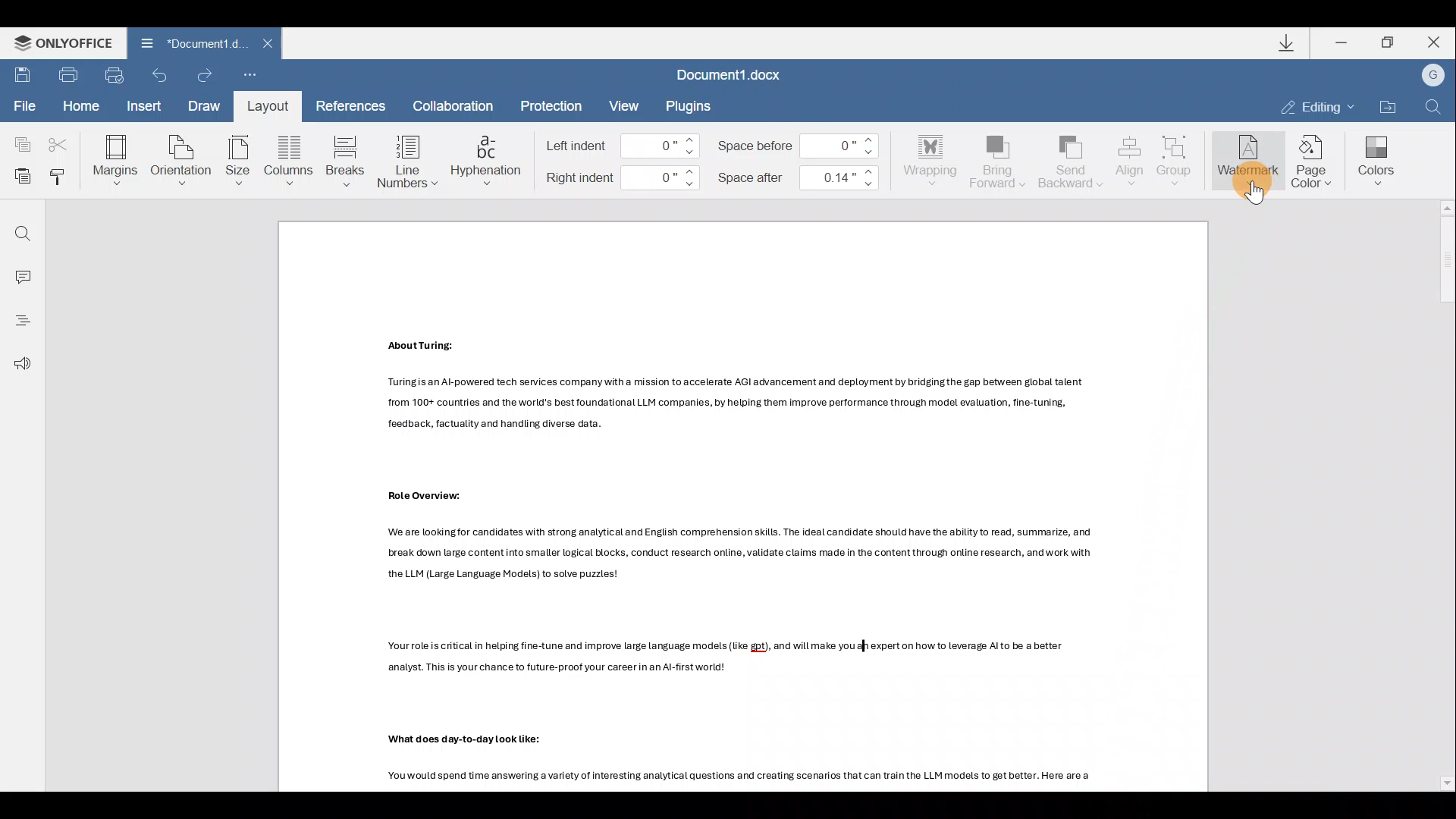 The height and width of the screenshot is (819, 1456). What do you see at coordinates (414, 494) in the screenshot?
I see `` at bounding box center [414, 494].